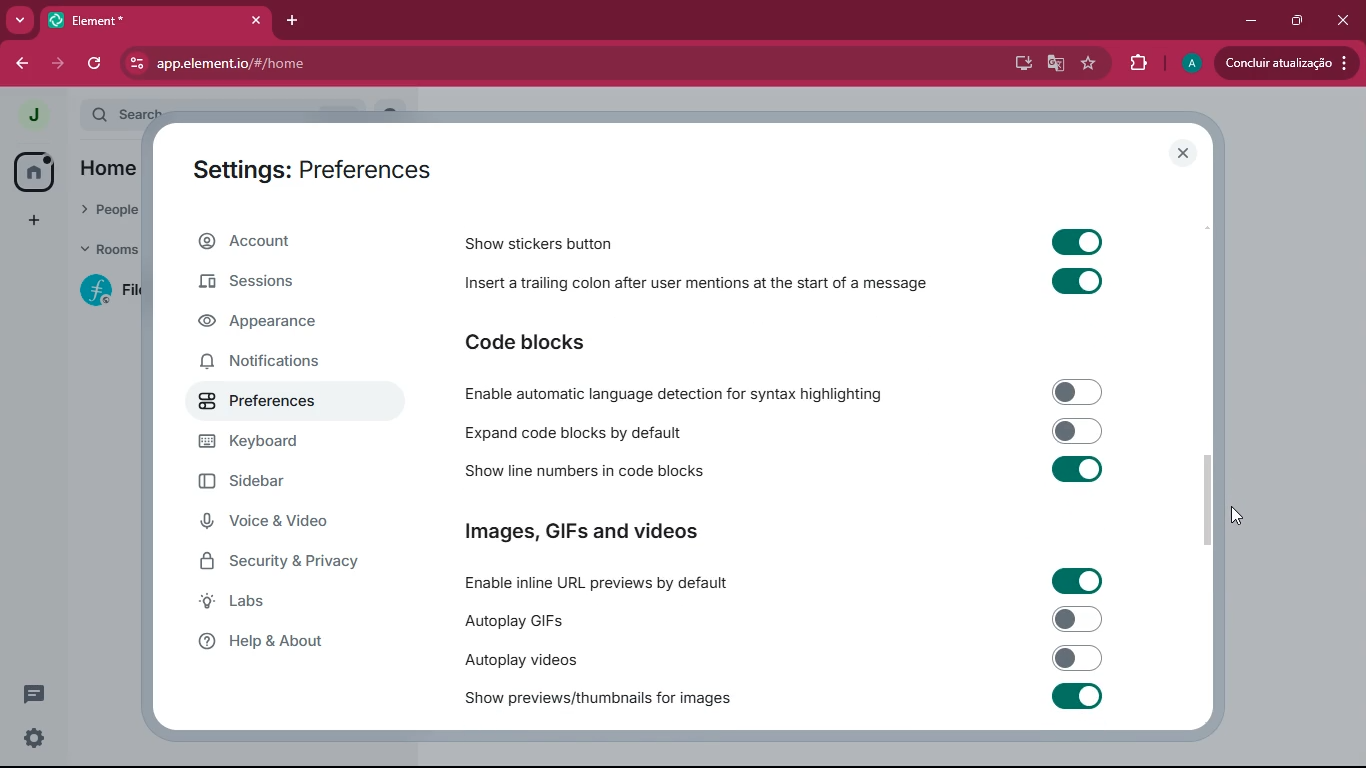  Describe the element at coordinates (145, 21) in the screenshot. I see `tab` at that location.